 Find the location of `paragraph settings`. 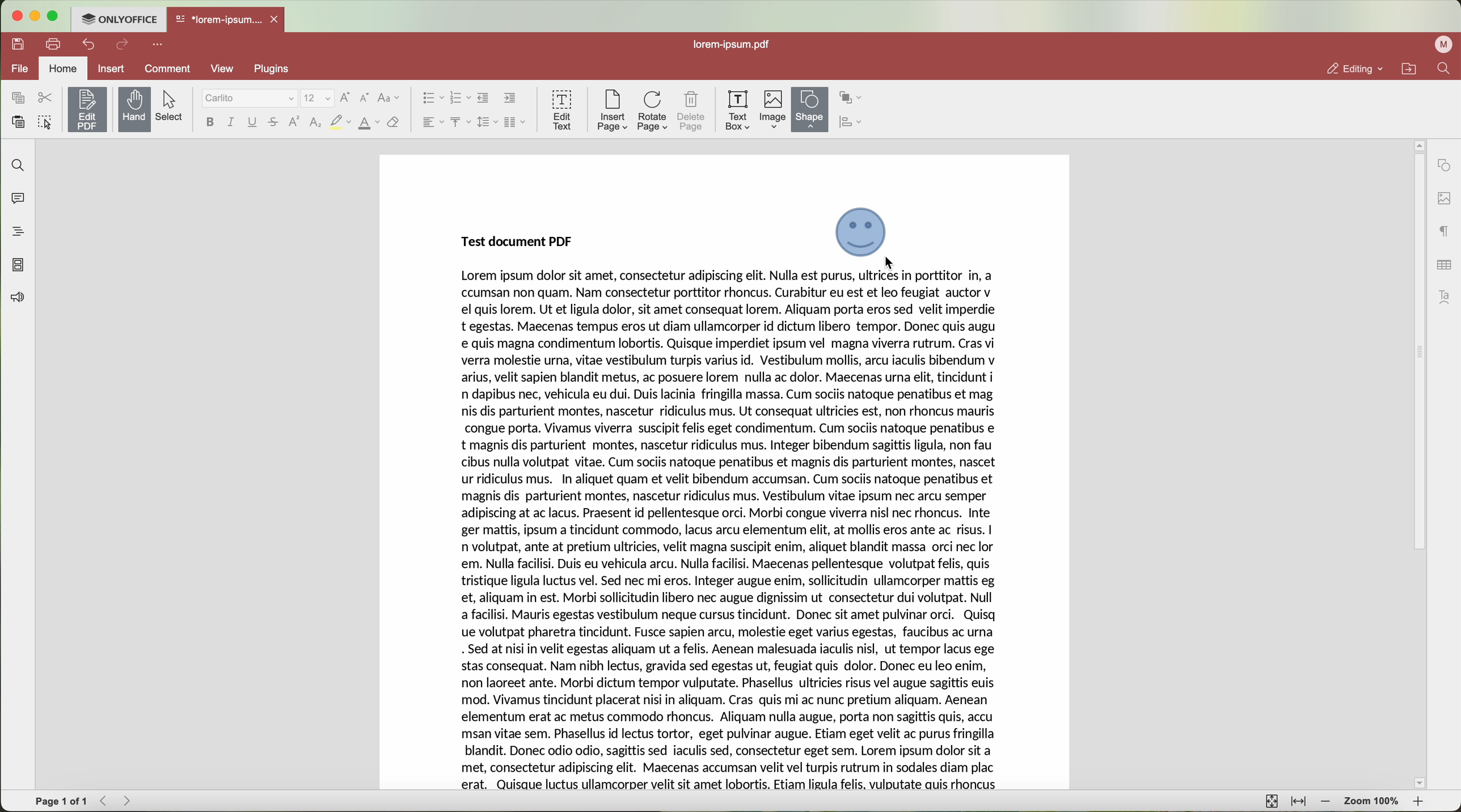

paragraph settings is located at coordinates (1441, 232).